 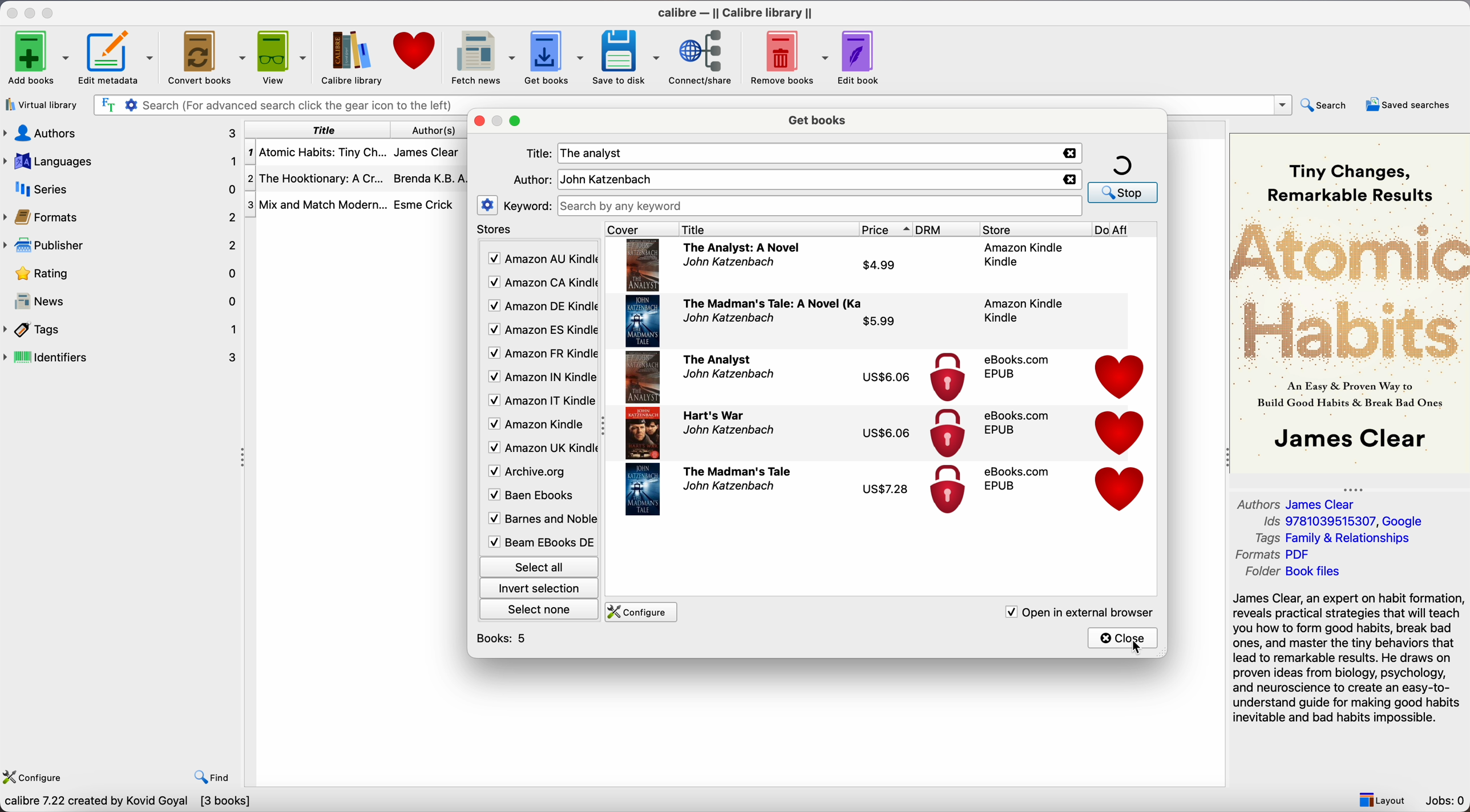 What do you see at coordinates (215, 778) in the screenshot?
I see `find` at bounding box center [215, 778].